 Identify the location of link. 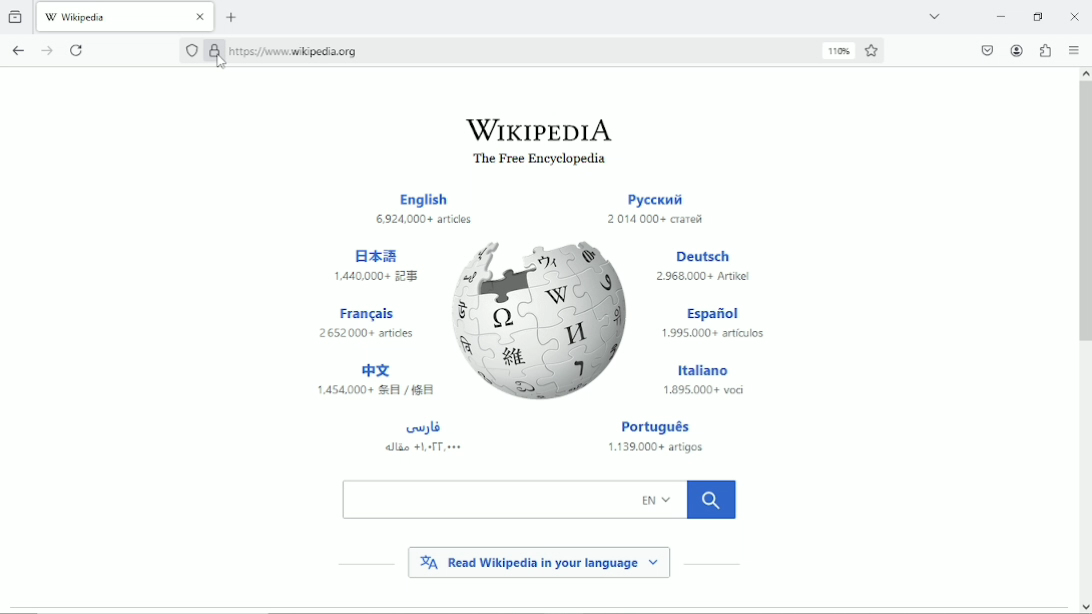
(296, 51).